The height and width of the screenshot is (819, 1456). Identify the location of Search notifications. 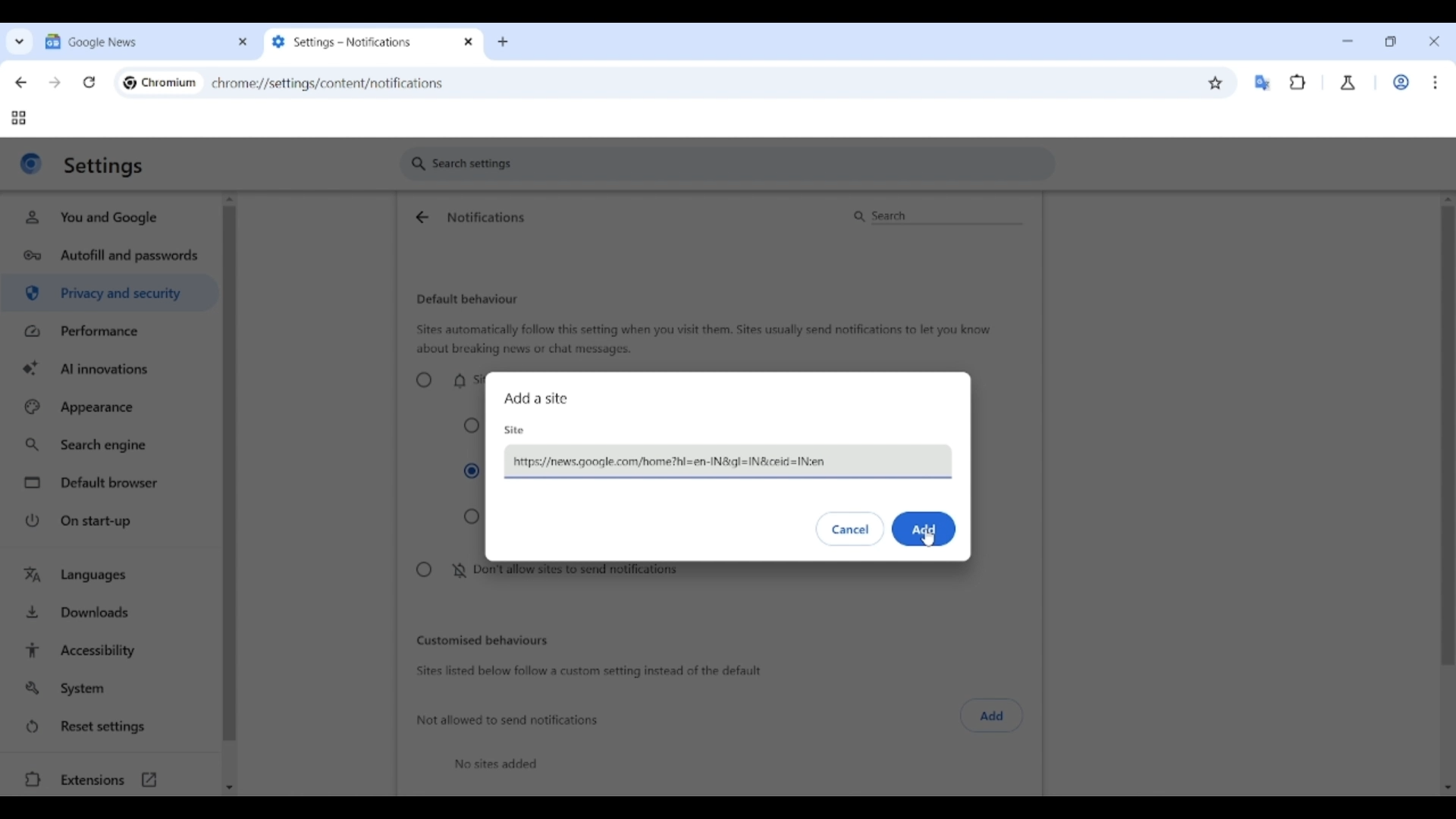
(936, 216).